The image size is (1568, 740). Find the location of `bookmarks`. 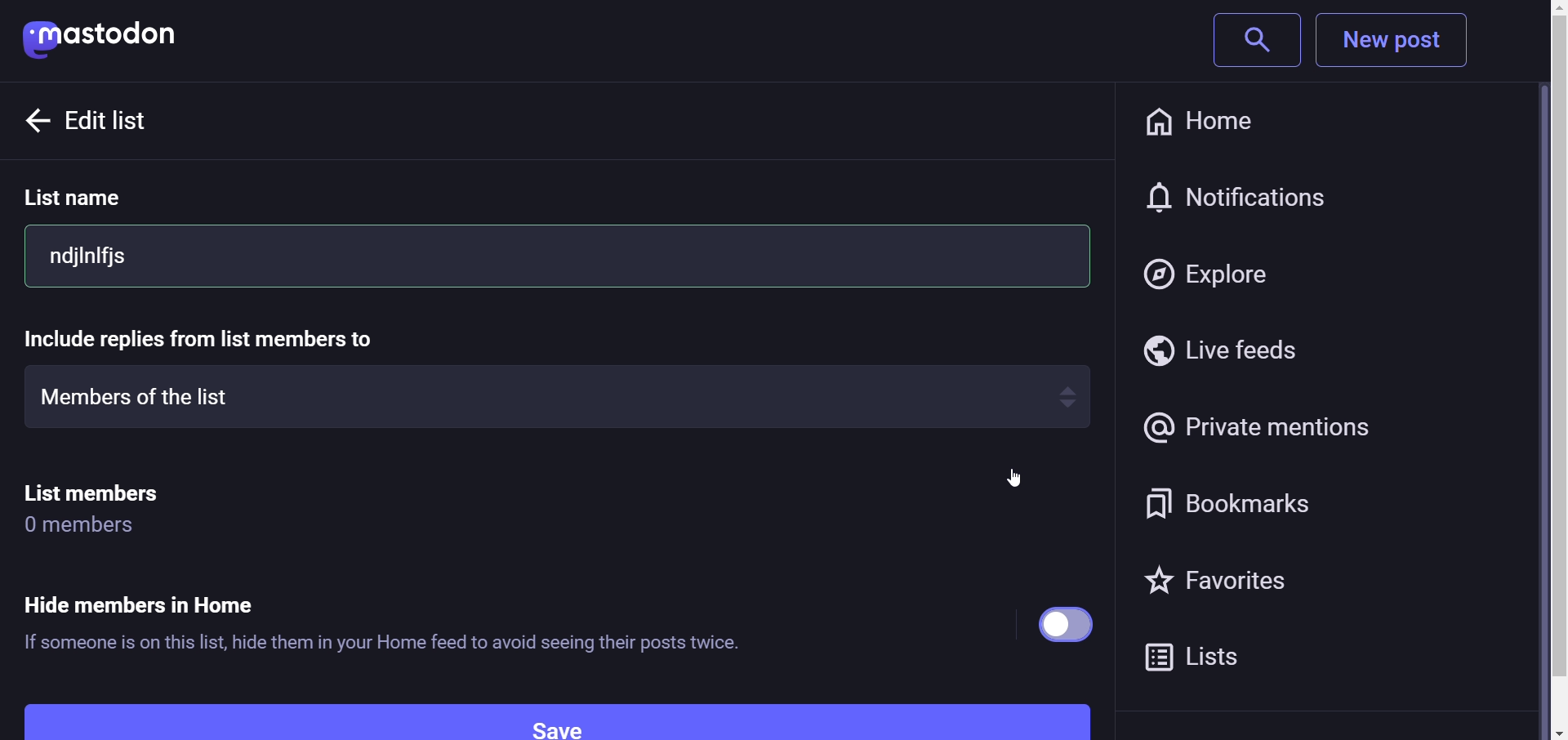

bookmarks is located at coordinates (1218, 506).